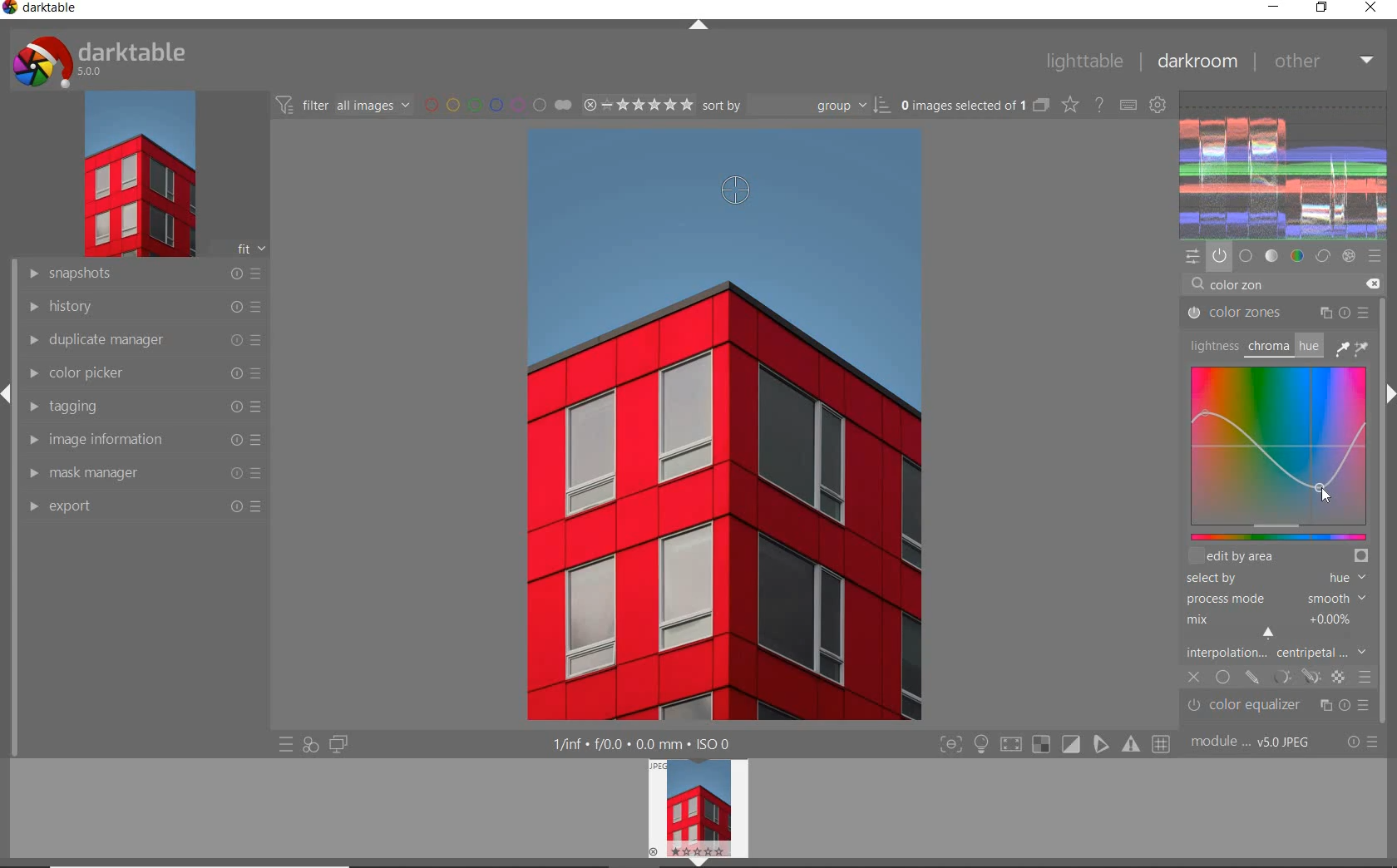  I want to click on expand/collapse, so click(699, 26).